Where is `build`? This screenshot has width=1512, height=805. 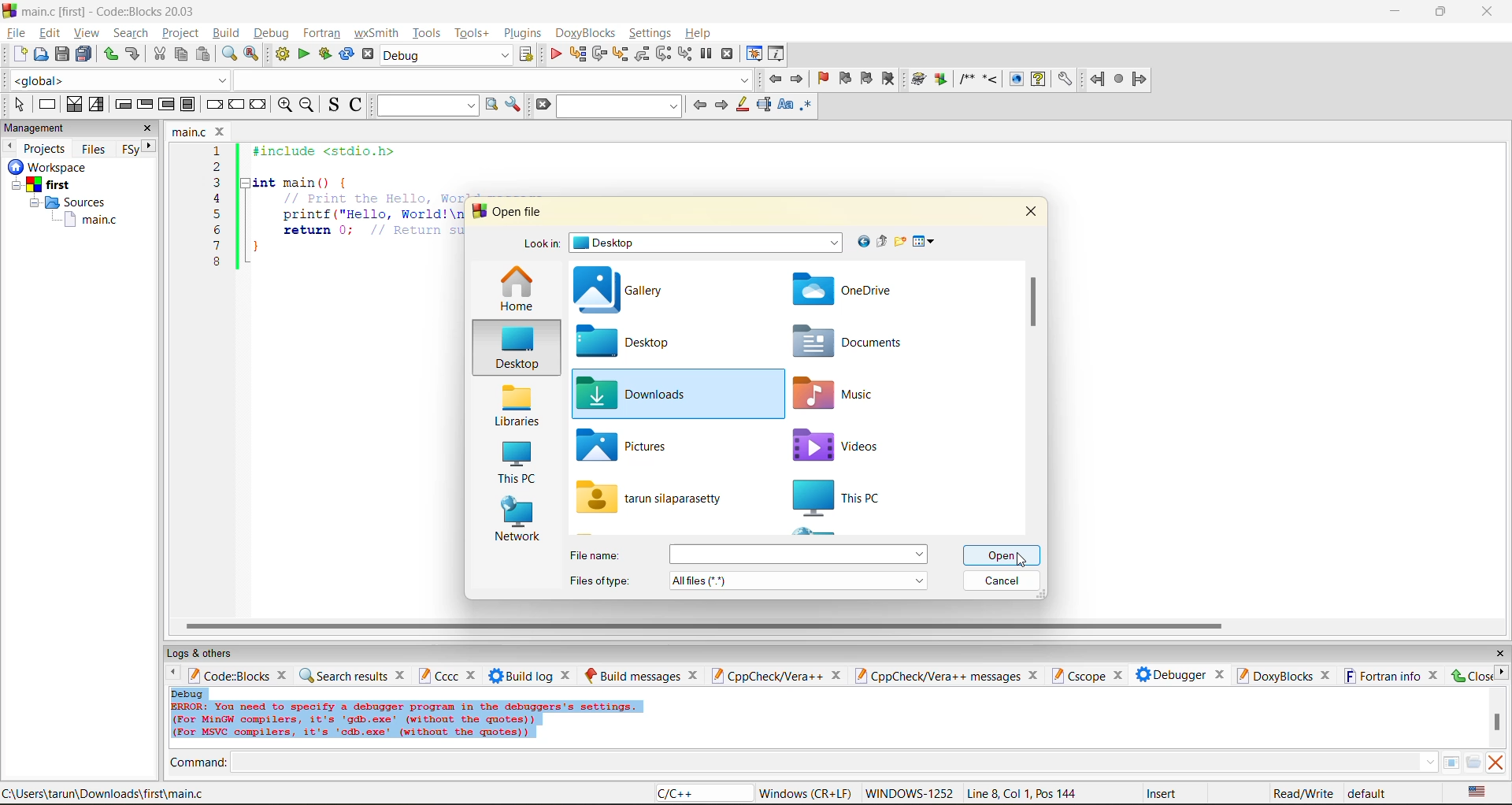
build is located at coordinates (919, 80).